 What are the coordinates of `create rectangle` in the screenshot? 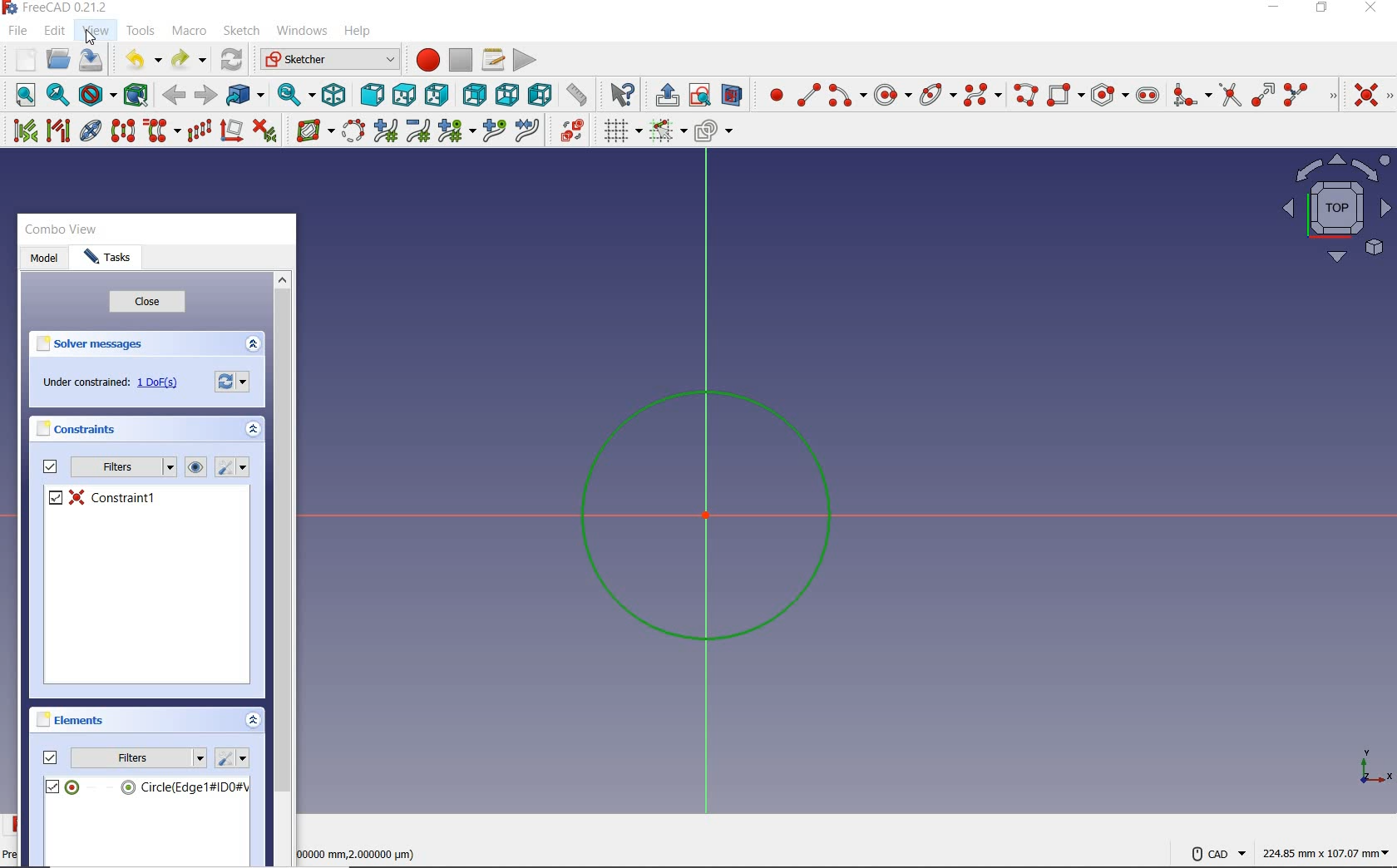 It's located at (1066, 95).